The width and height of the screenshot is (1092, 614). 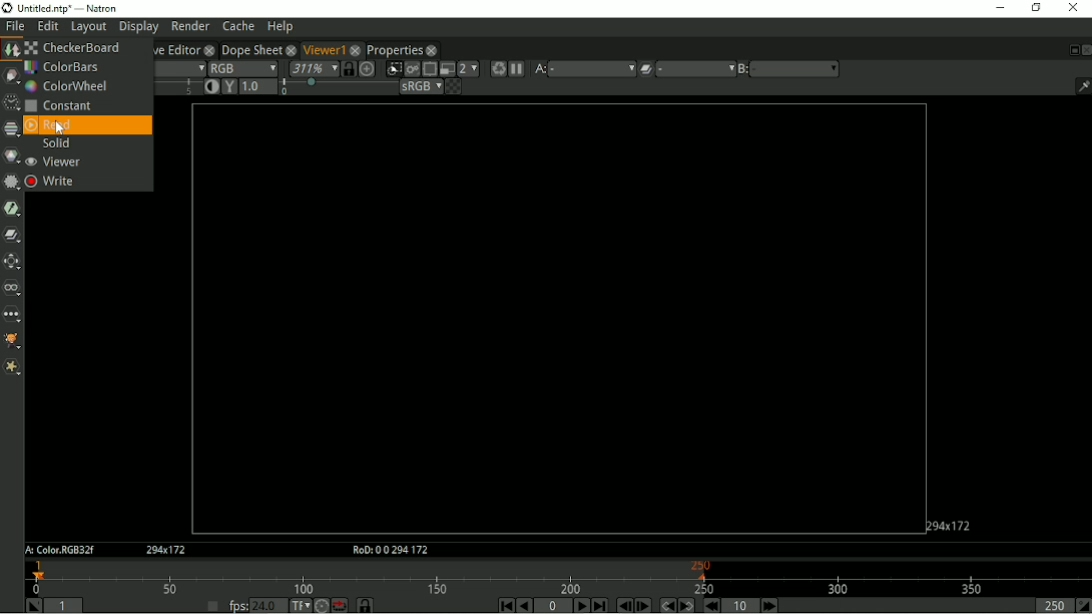 I want to click on Close, so click(x=1085, y=50).